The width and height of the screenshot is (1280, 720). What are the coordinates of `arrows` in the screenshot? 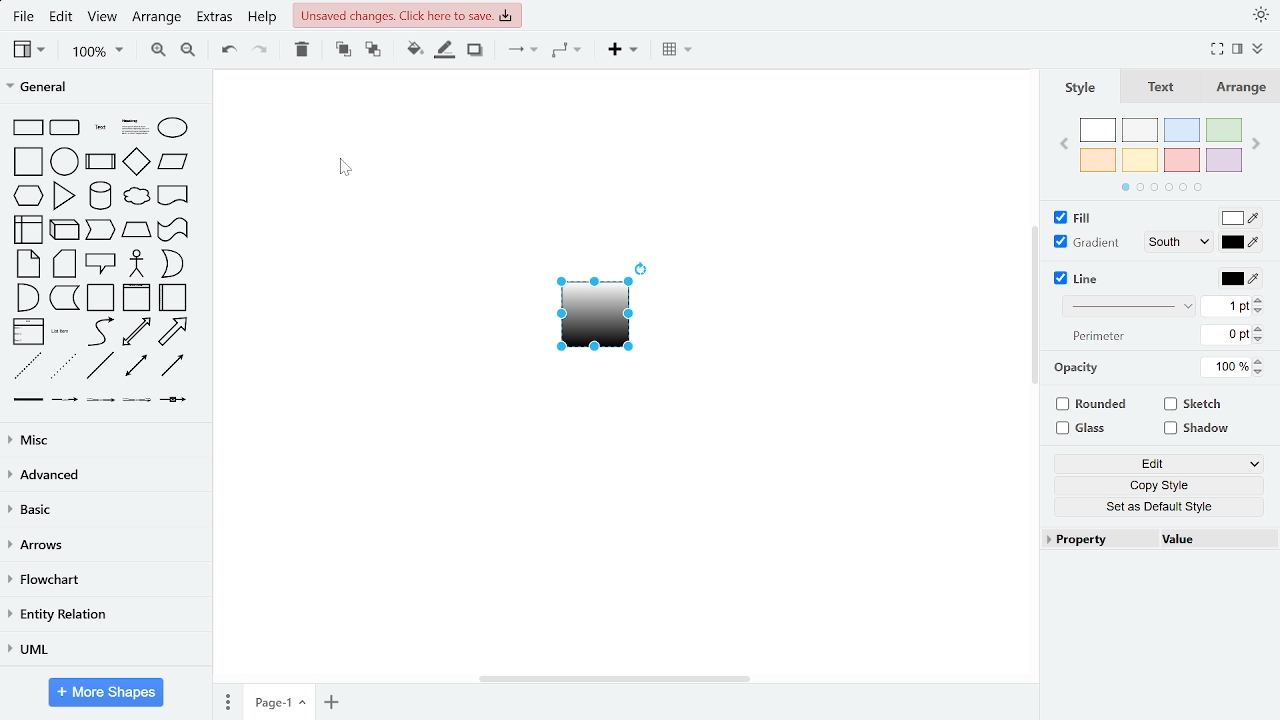 It's located at (102, 547).